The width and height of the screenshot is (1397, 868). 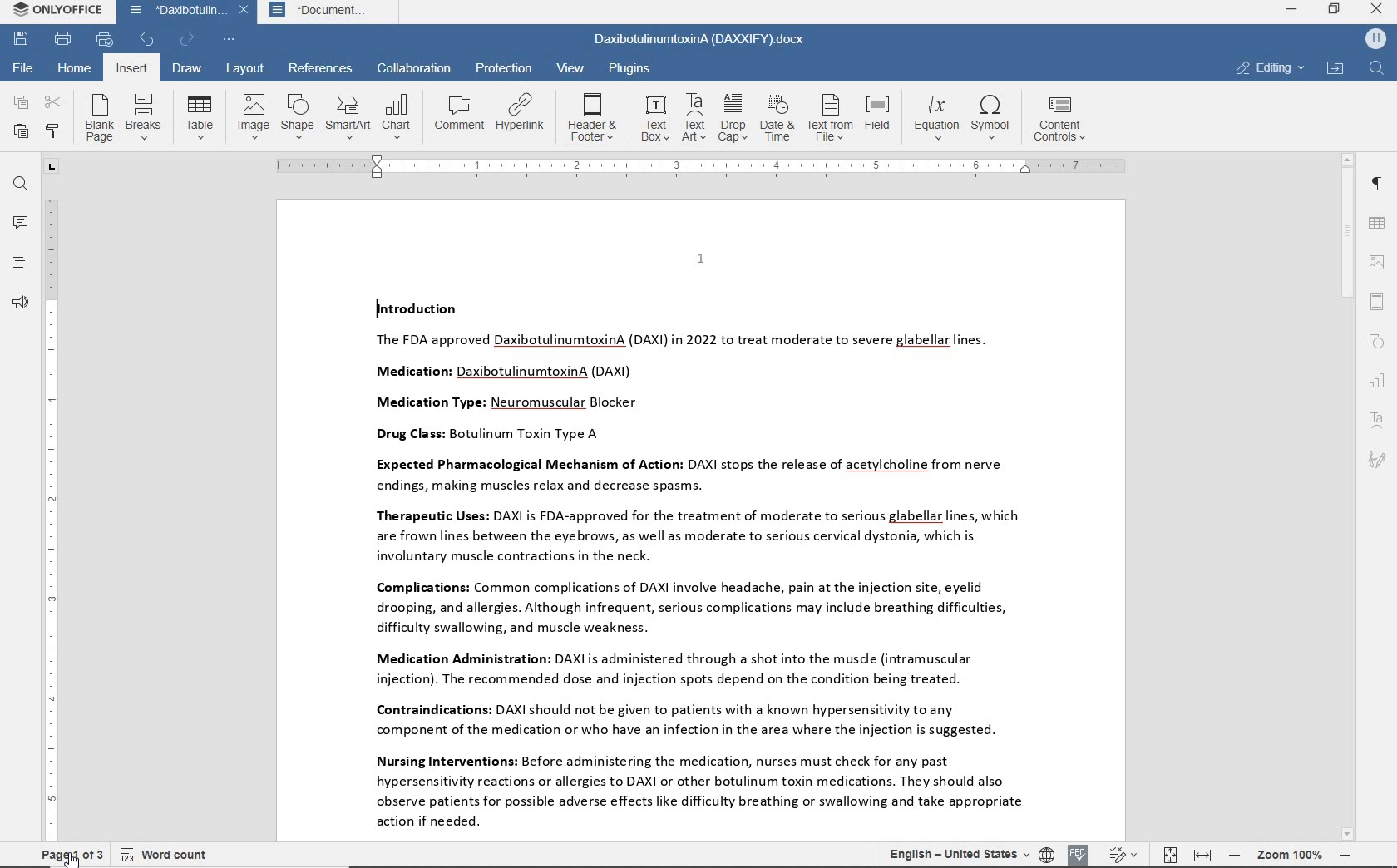 I want to click on chart, so click(x=1378, y=382).